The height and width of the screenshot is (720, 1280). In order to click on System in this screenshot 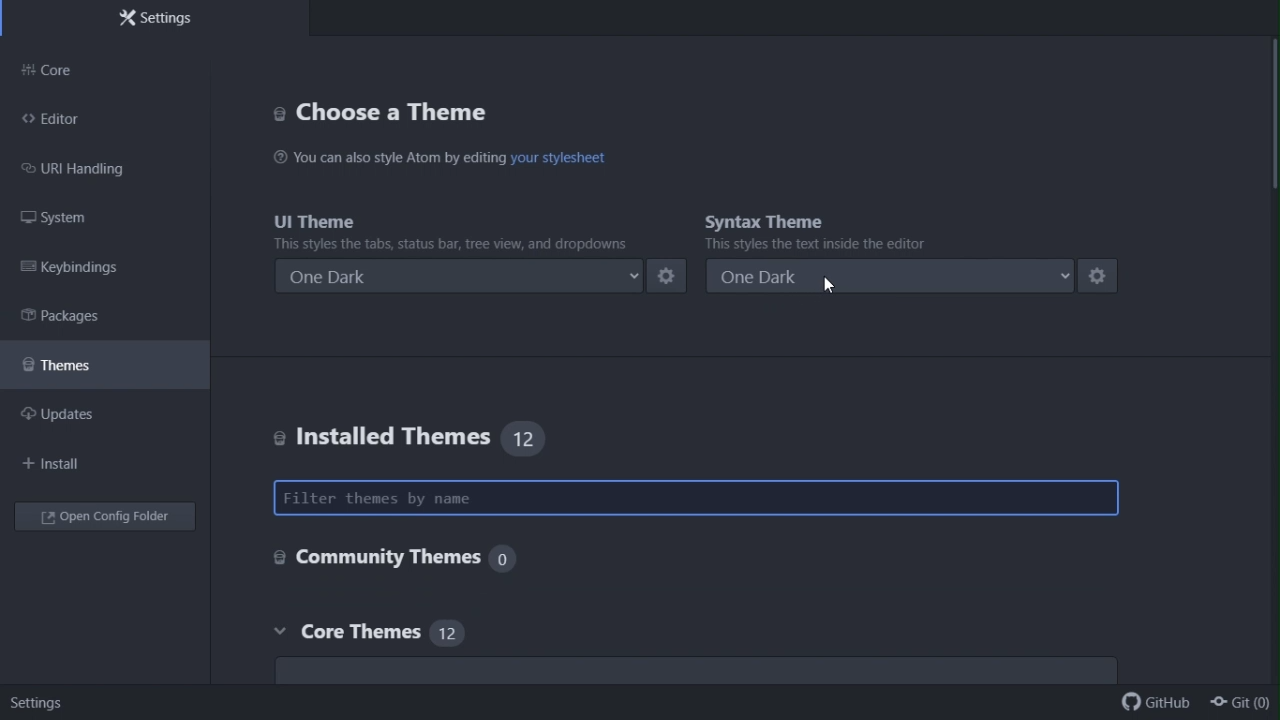, I will do `click(61, 219)`.